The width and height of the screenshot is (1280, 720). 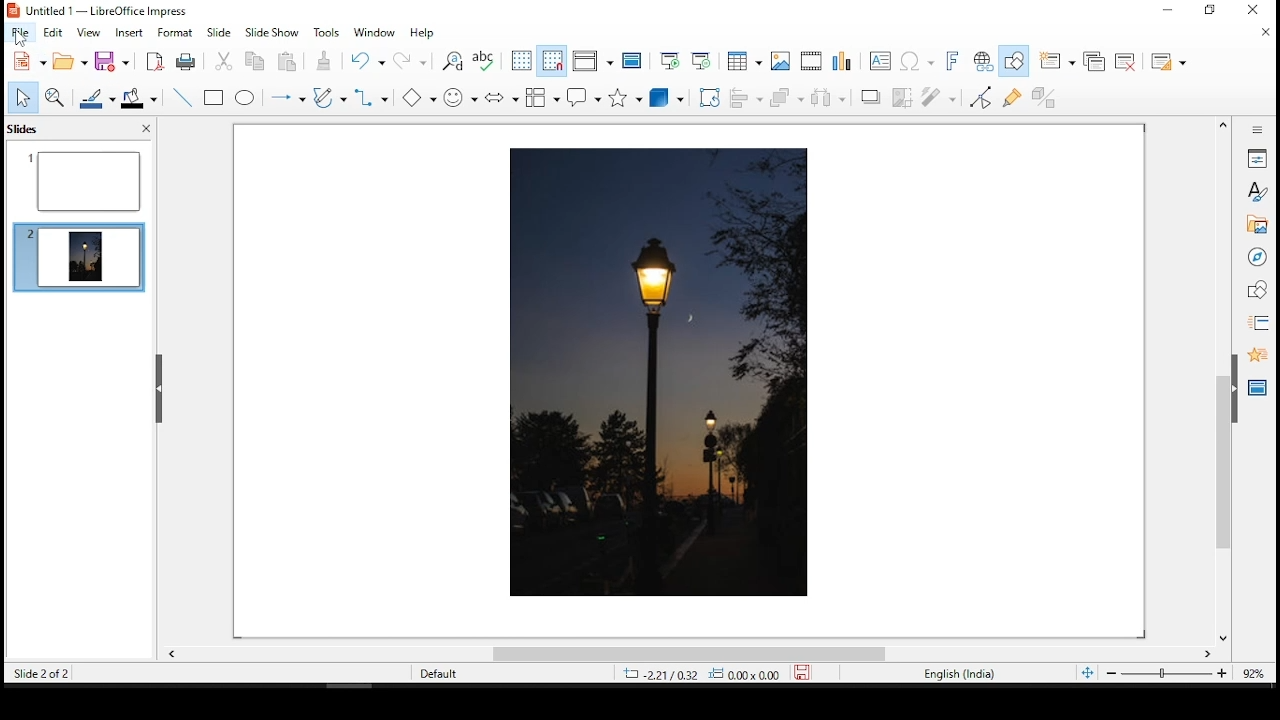 I want to click on curves and polygons, so click(x=327, y=97).